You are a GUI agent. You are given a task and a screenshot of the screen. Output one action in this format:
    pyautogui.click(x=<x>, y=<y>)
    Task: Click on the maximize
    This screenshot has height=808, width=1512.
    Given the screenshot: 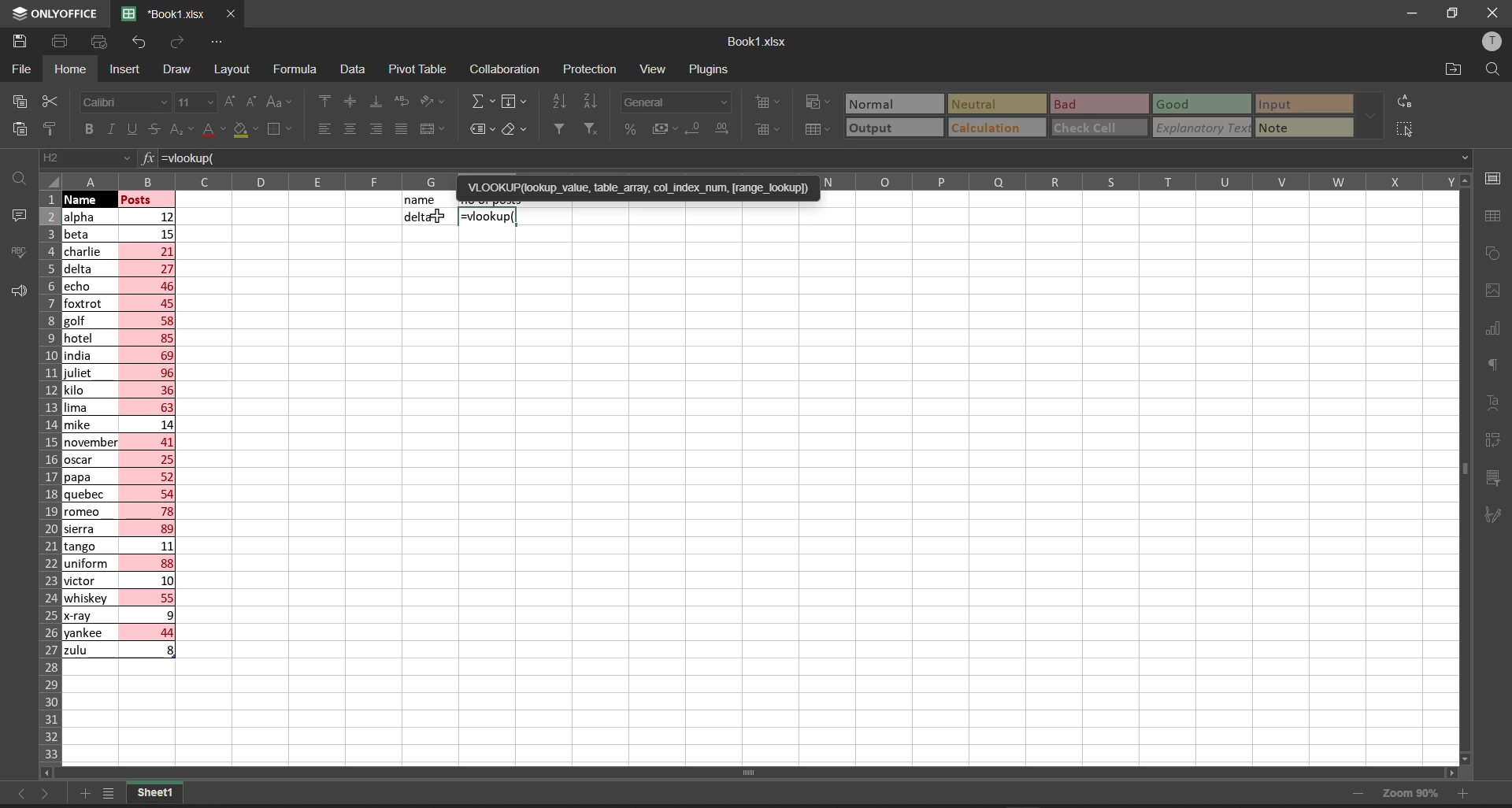 What is the action you would take?
    pyautogui.click(x=1455, y=14)
    